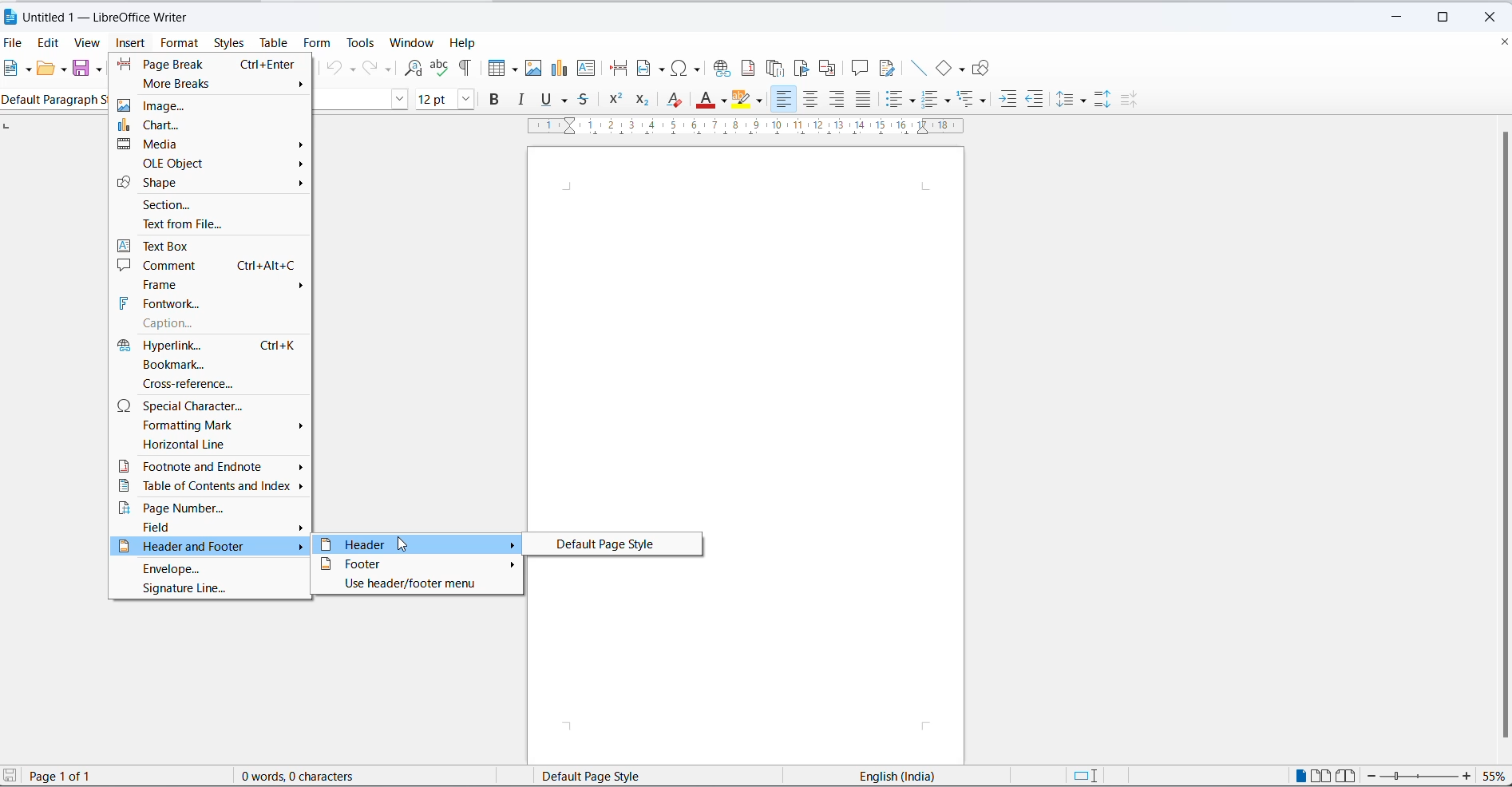 Image resolution: width=1512 pixels, height=787 pixels. I want to click on font color, so click(703, 99).